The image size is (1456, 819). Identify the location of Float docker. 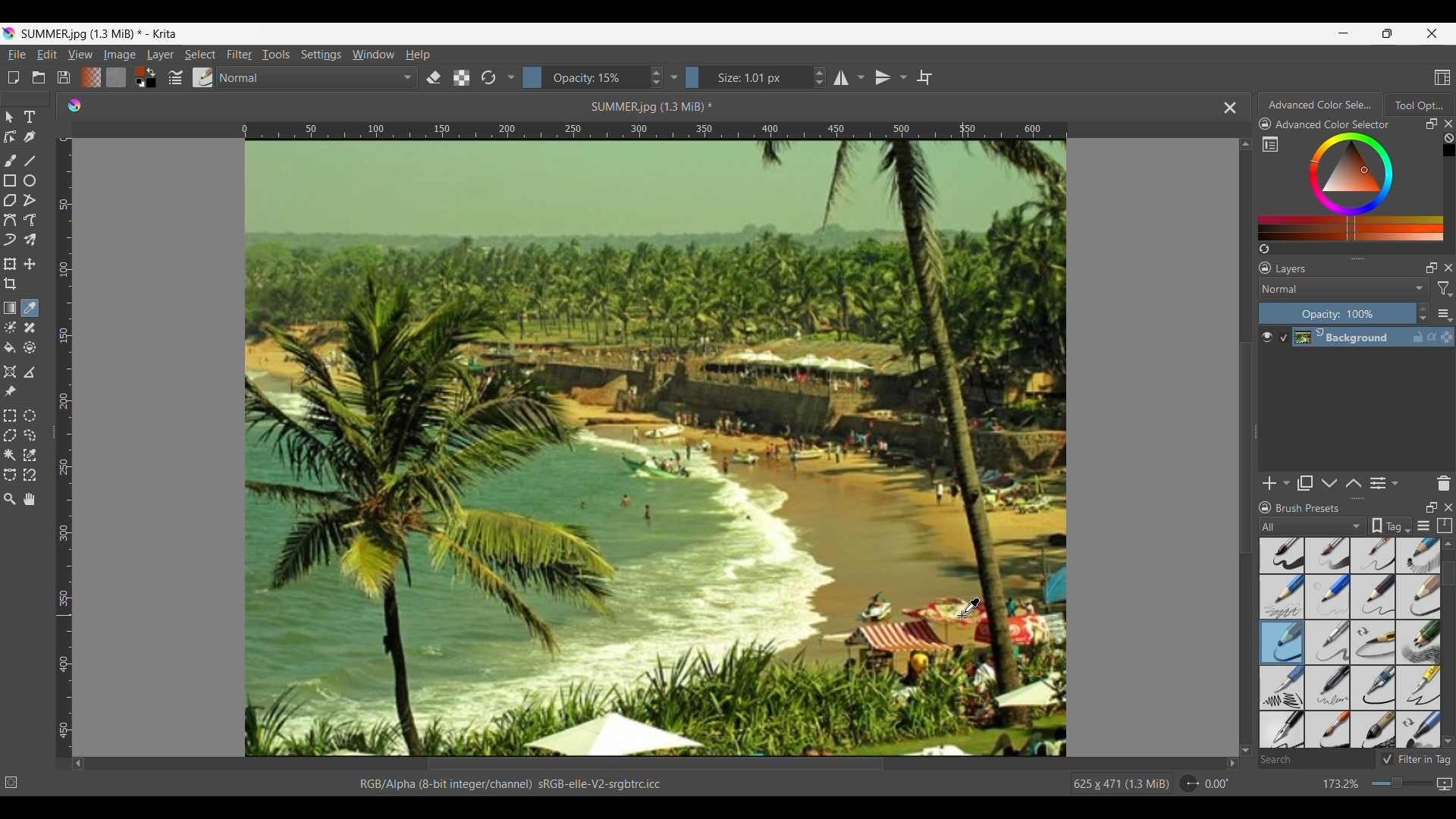
(1432, 124).